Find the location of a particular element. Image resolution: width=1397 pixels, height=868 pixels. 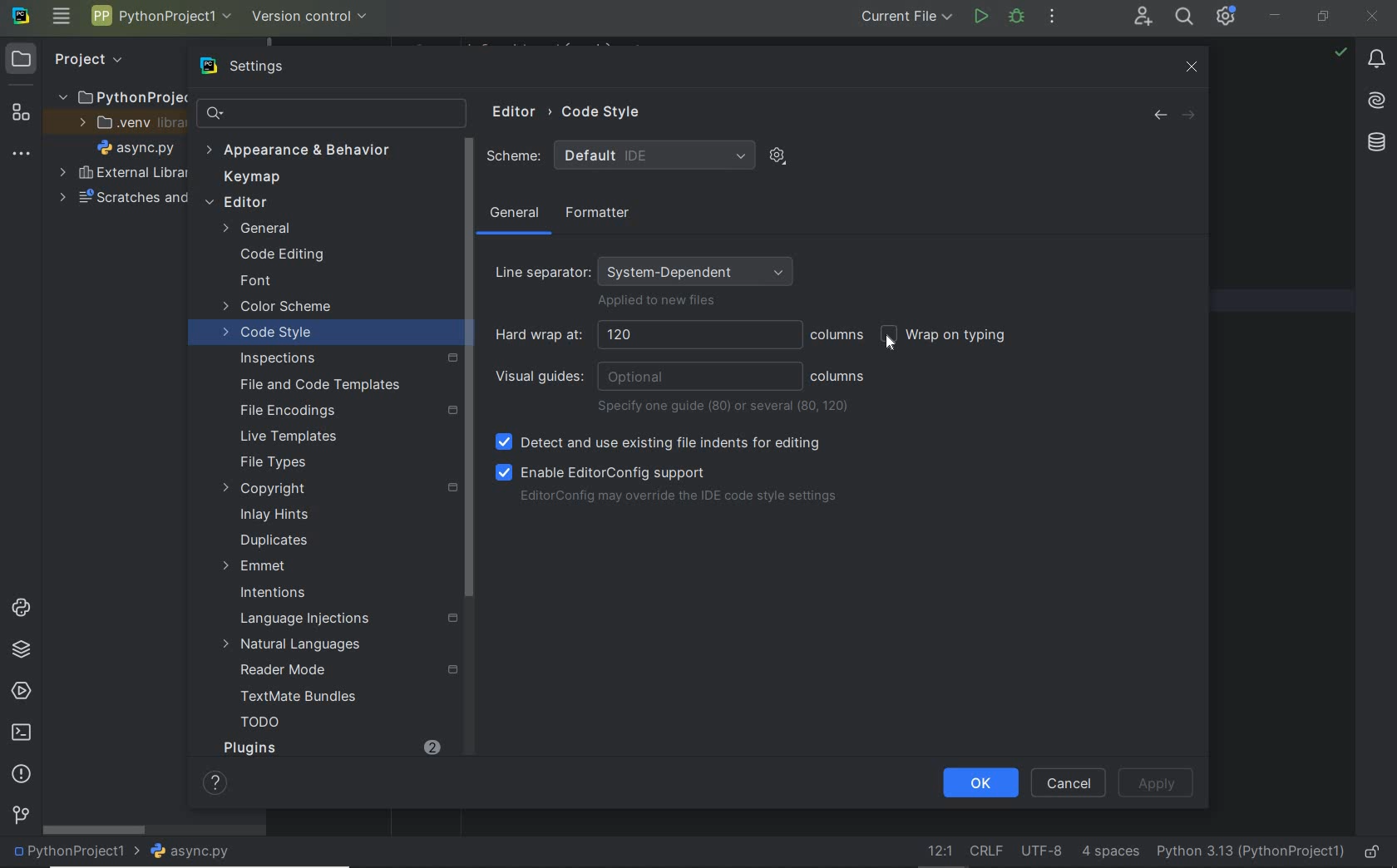

code style is located at coordinates (269, 335).